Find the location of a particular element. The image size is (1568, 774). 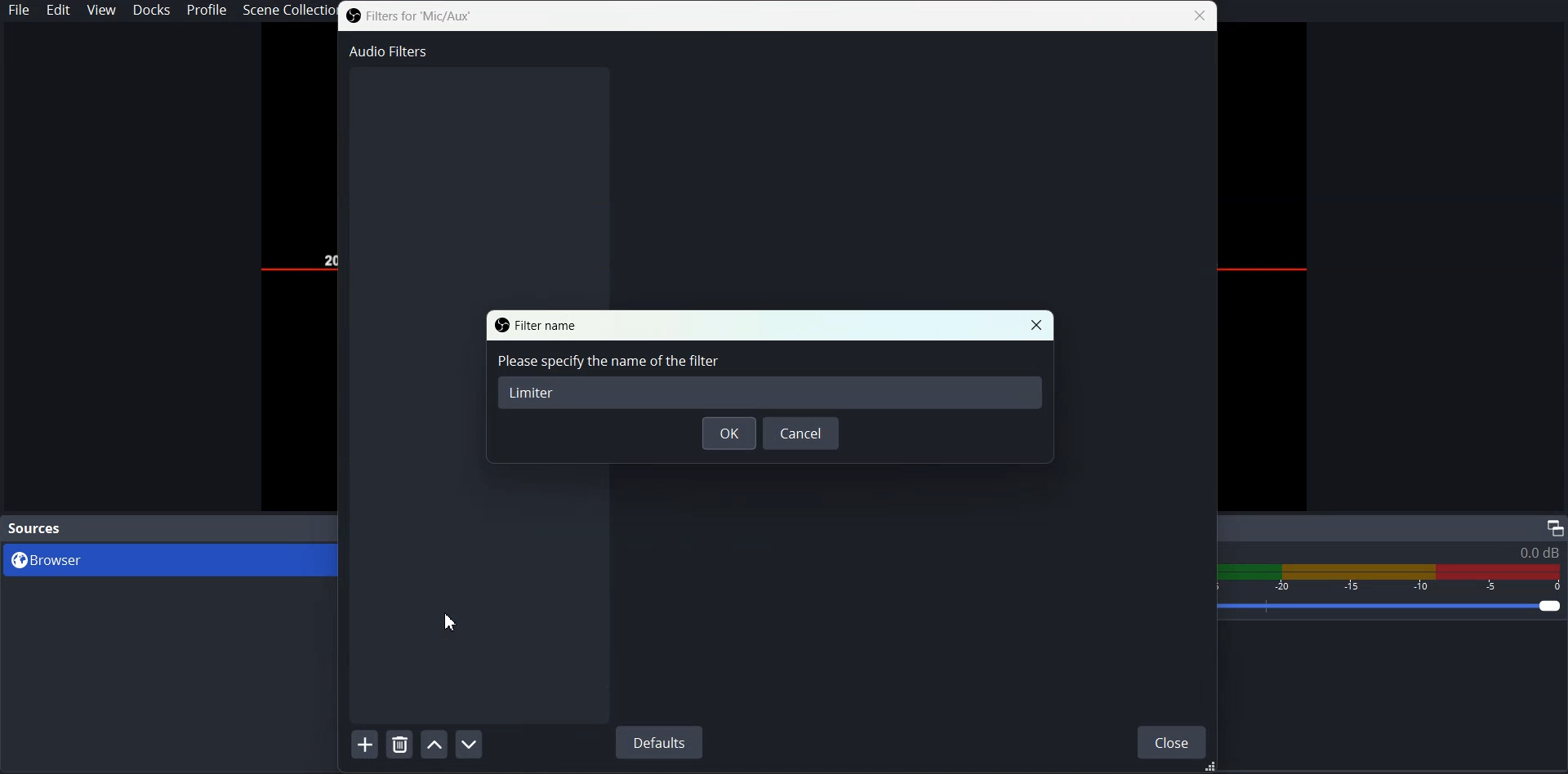

Remove Selected is located at coordinates (401, 744).